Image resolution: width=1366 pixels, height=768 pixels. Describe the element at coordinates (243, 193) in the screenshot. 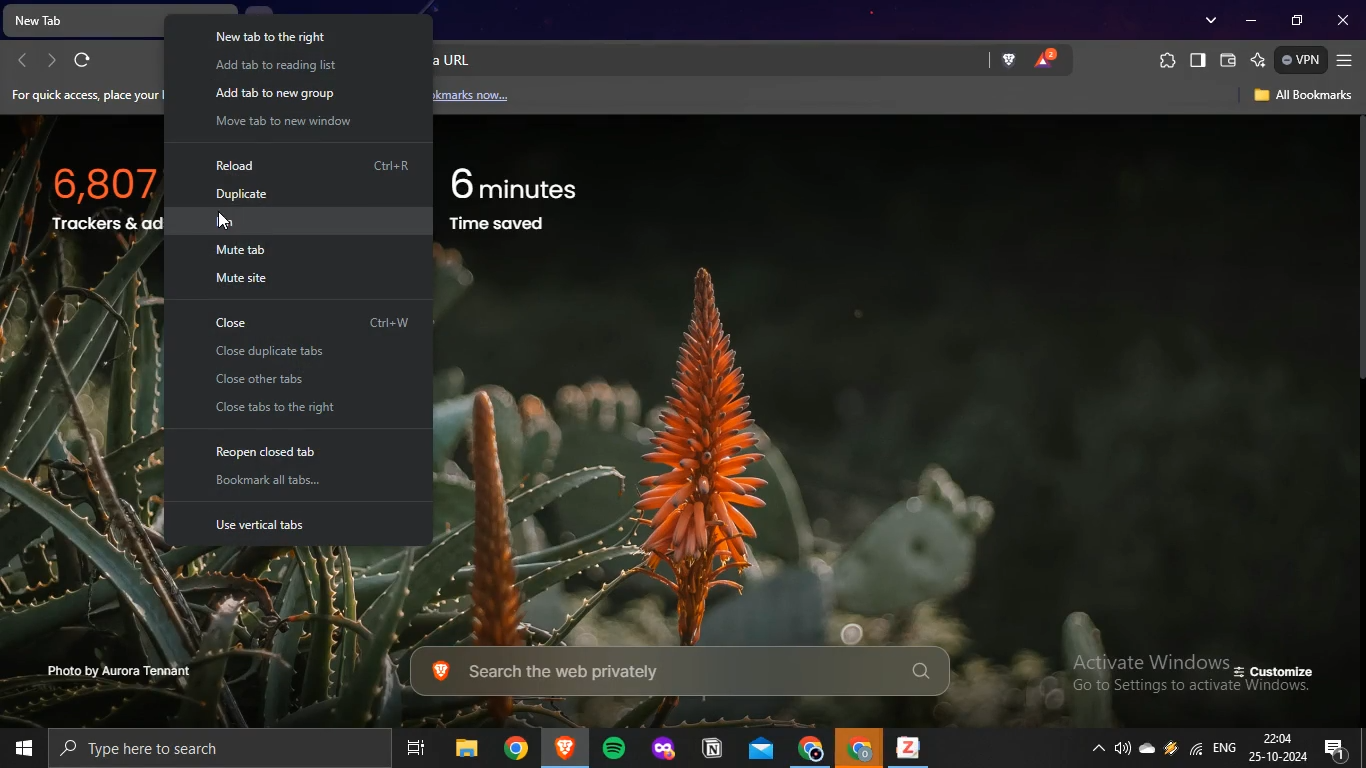

I see `duplicate` at that location.